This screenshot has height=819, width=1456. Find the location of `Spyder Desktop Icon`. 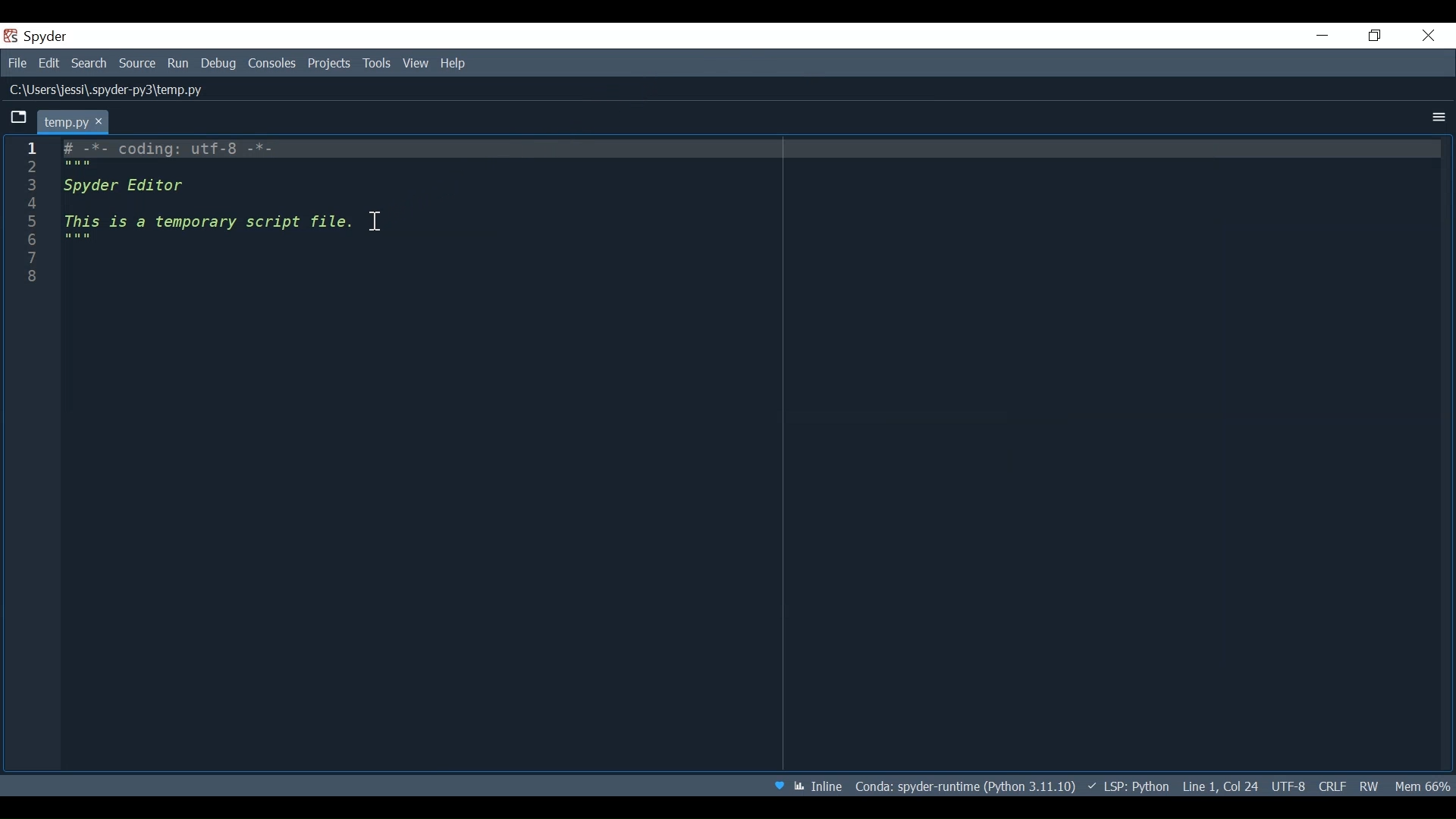

Spyder Desktop Icon is located at coordinates (39, 36).